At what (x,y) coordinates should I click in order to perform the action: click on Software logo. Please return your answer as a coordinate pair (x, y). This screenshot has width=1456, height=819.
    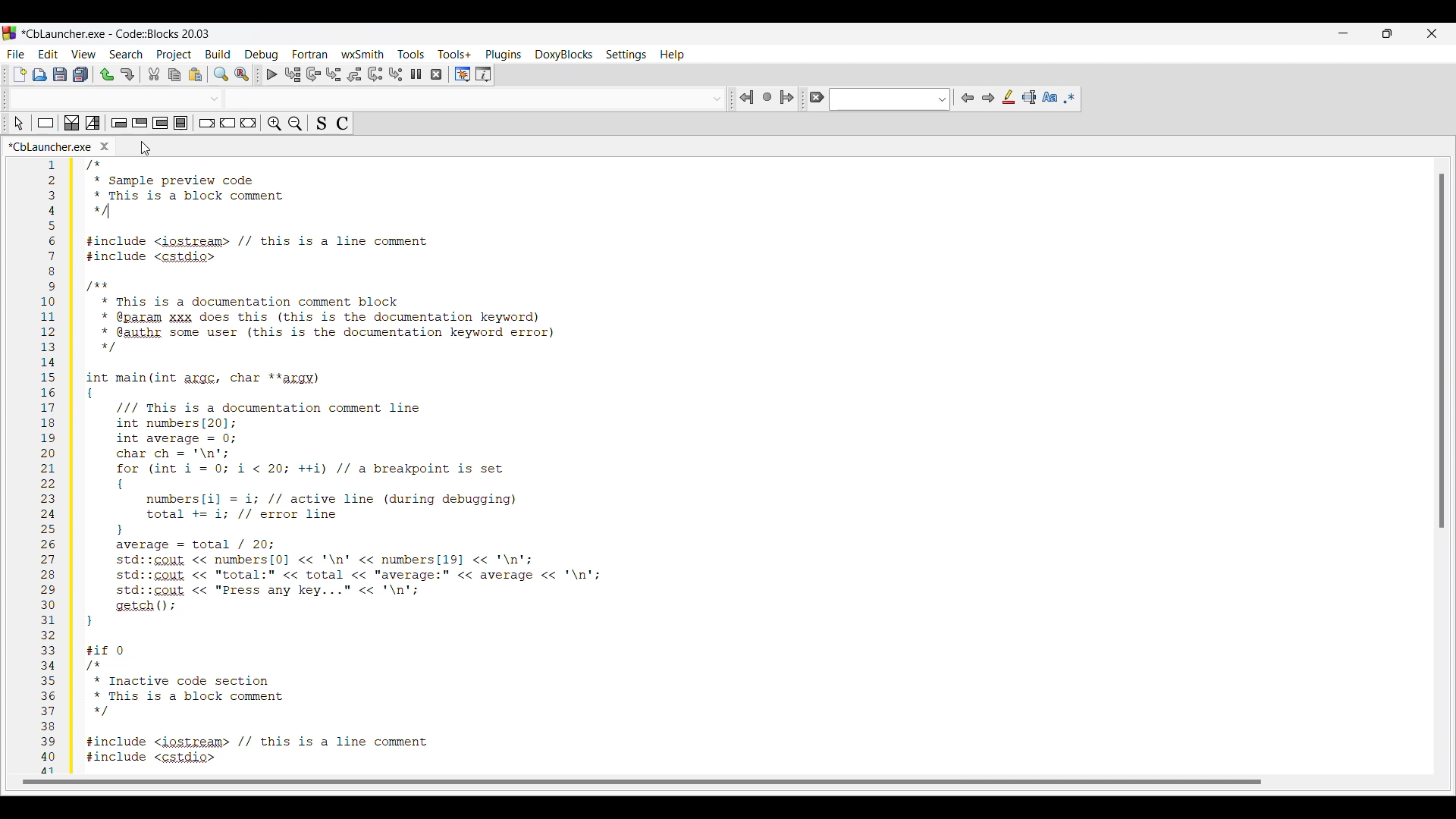
    Looking at the image, I should click on (10, 33).